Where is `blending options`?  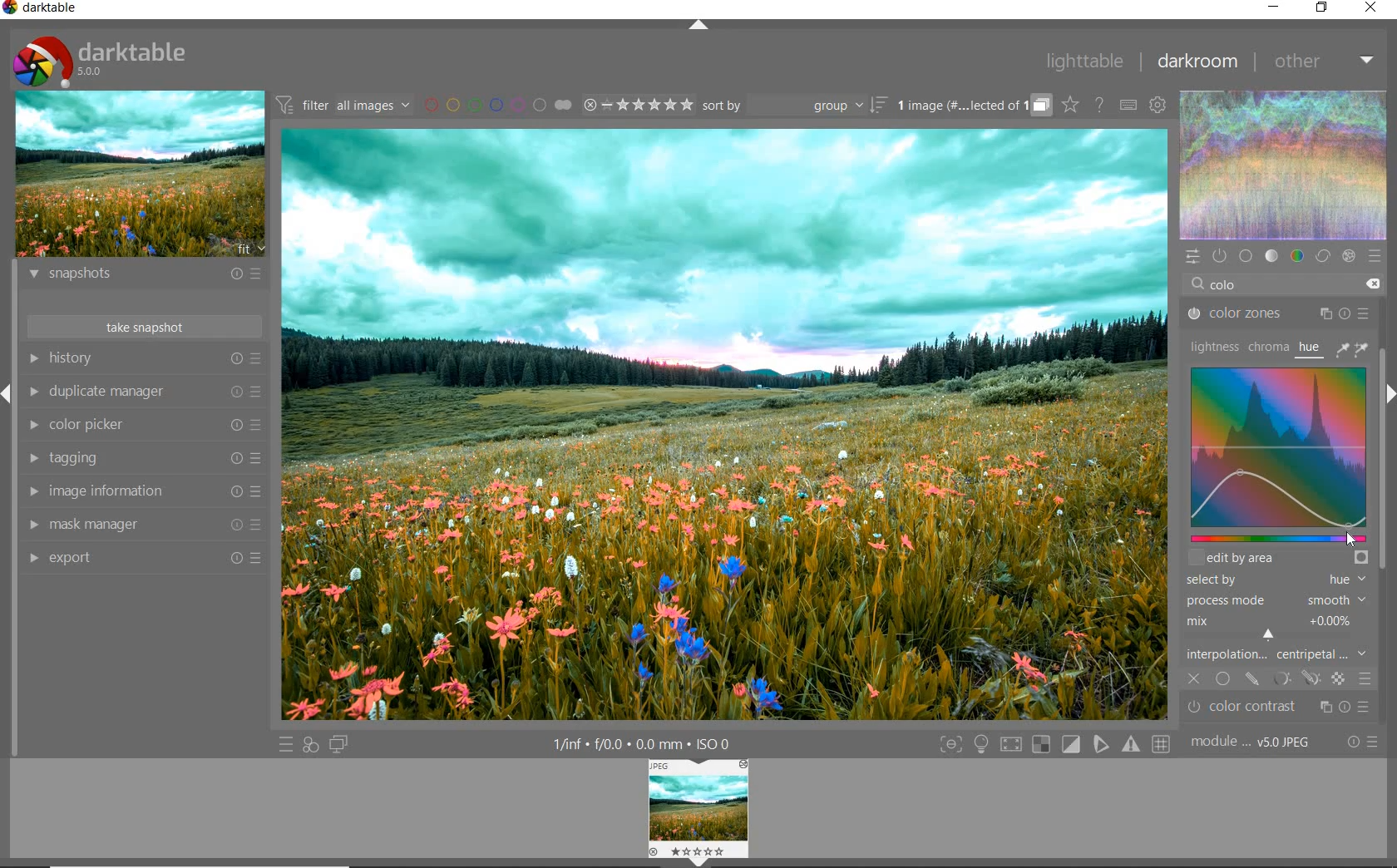 blending options is located at coordinates (1365, 677).